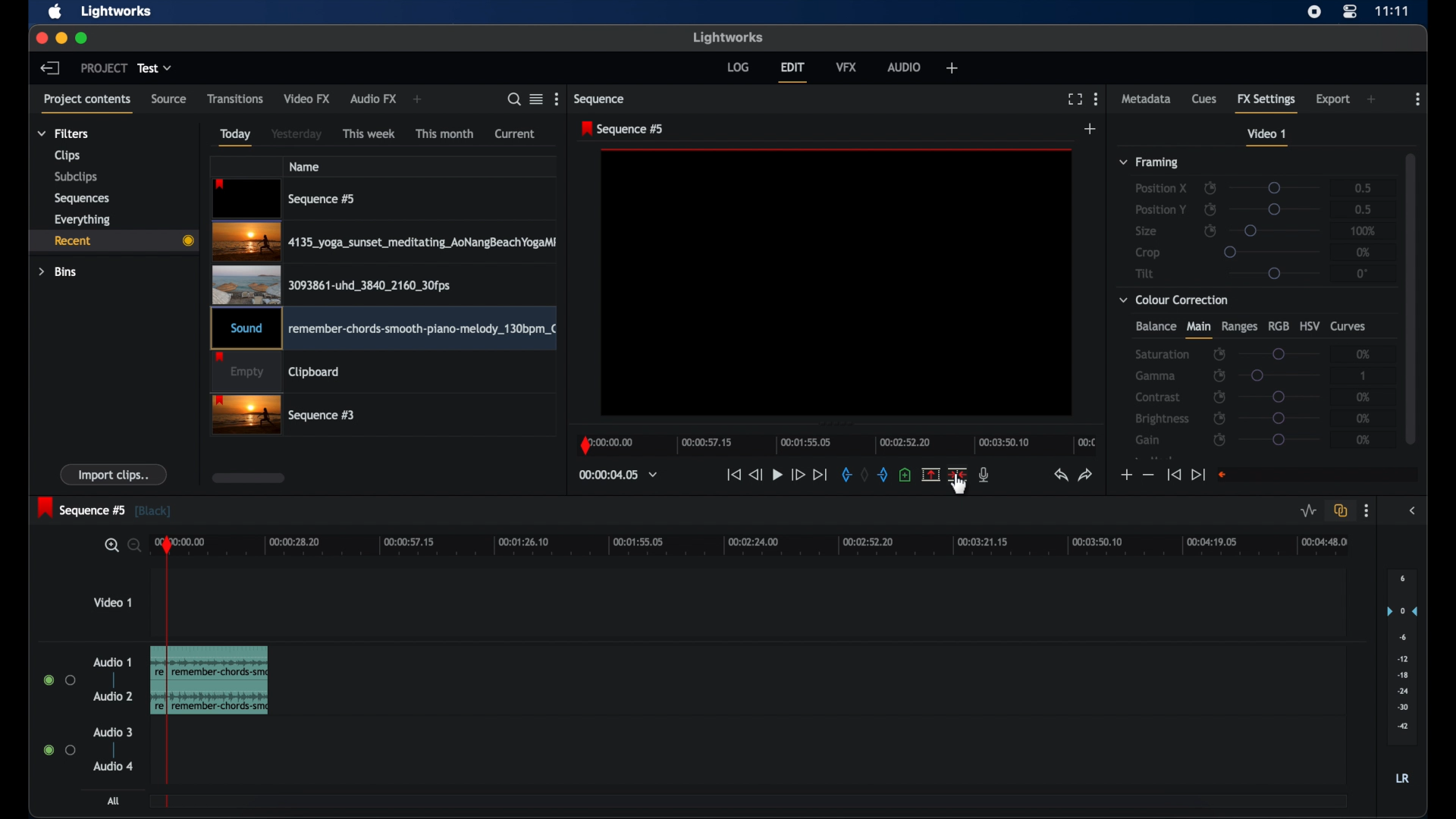 This screenshot has height=819, width=1456. What do you see at coordinates (624, 129) in the screenshot?
I see `sequence 5` at bounding box center [624, 129].